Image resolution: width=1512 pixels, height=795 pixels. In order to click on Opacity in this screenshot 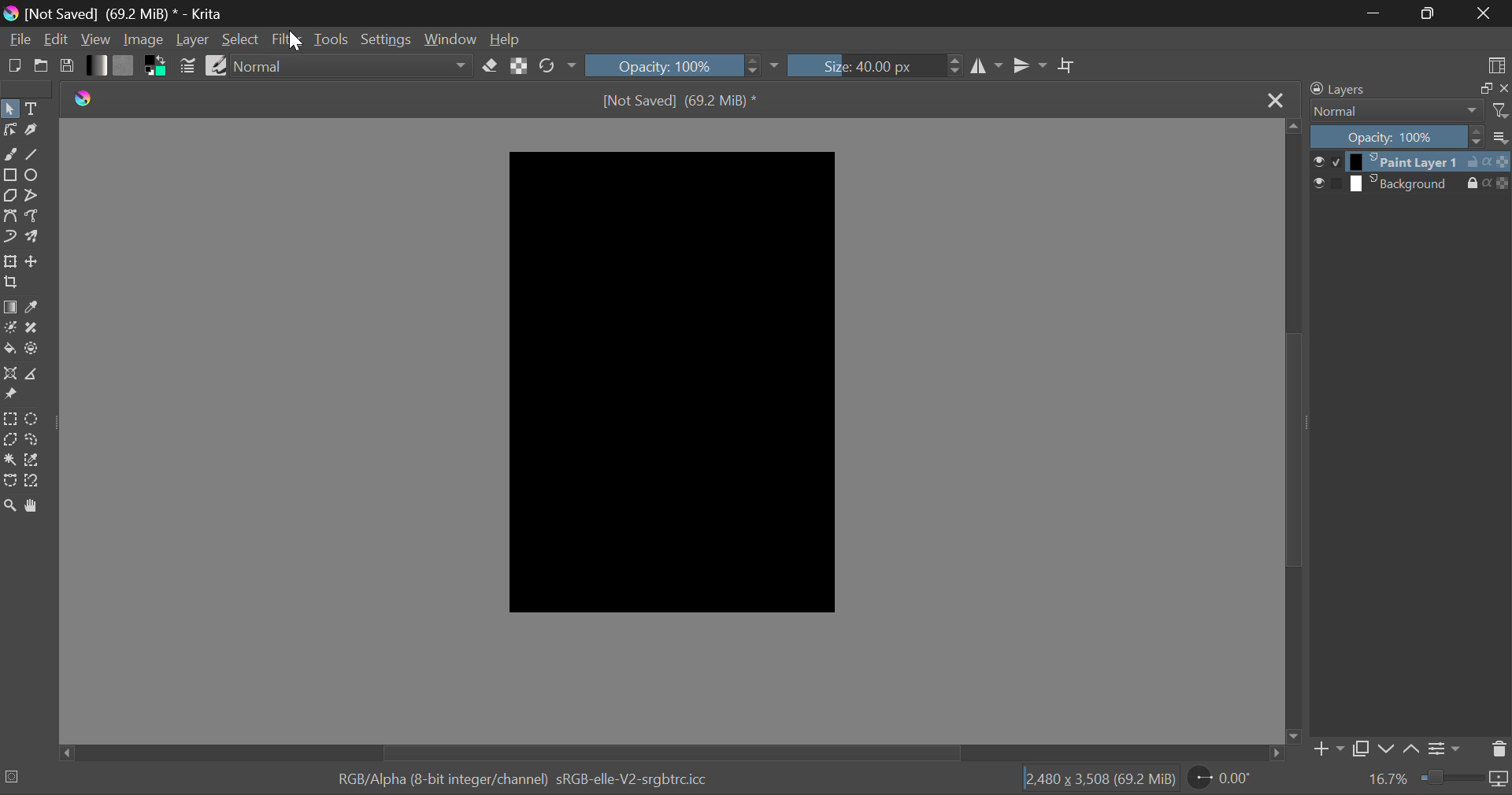, I will do `click(1394, 136)`.